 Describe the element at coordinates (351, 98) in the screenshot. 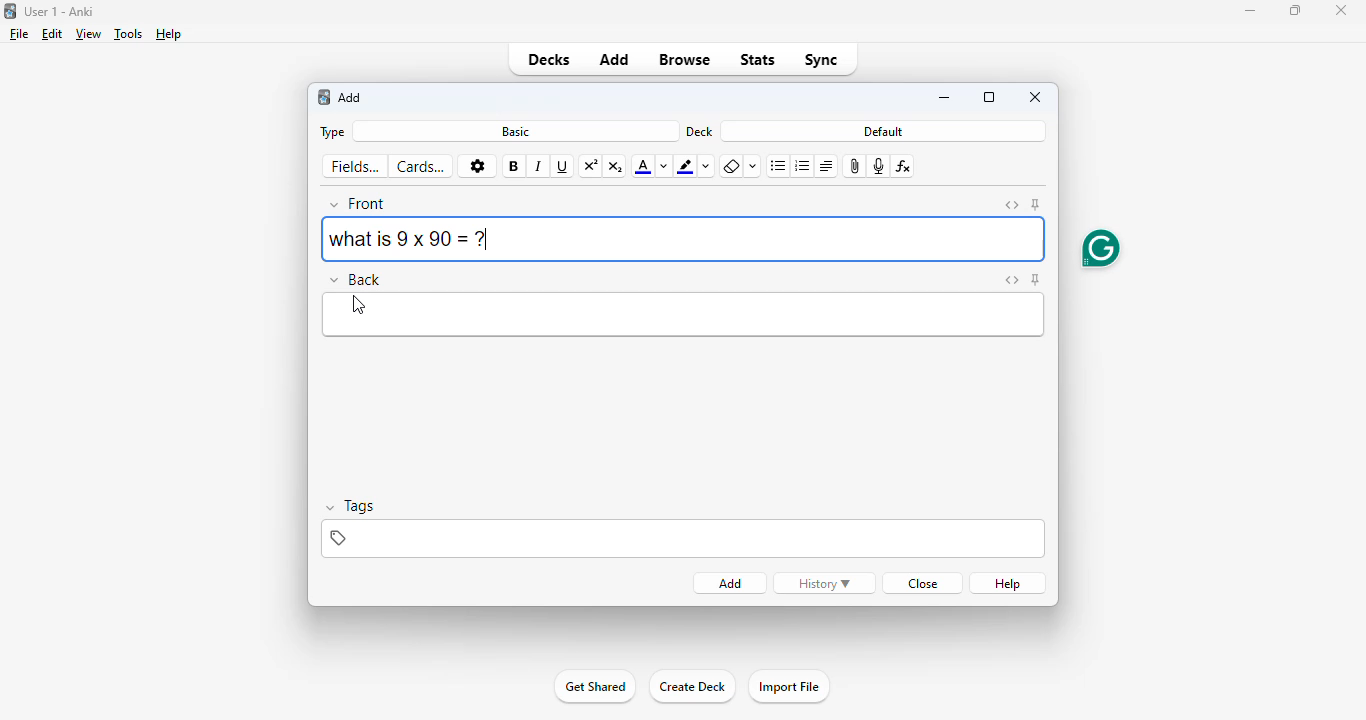

I see `add` at that location.